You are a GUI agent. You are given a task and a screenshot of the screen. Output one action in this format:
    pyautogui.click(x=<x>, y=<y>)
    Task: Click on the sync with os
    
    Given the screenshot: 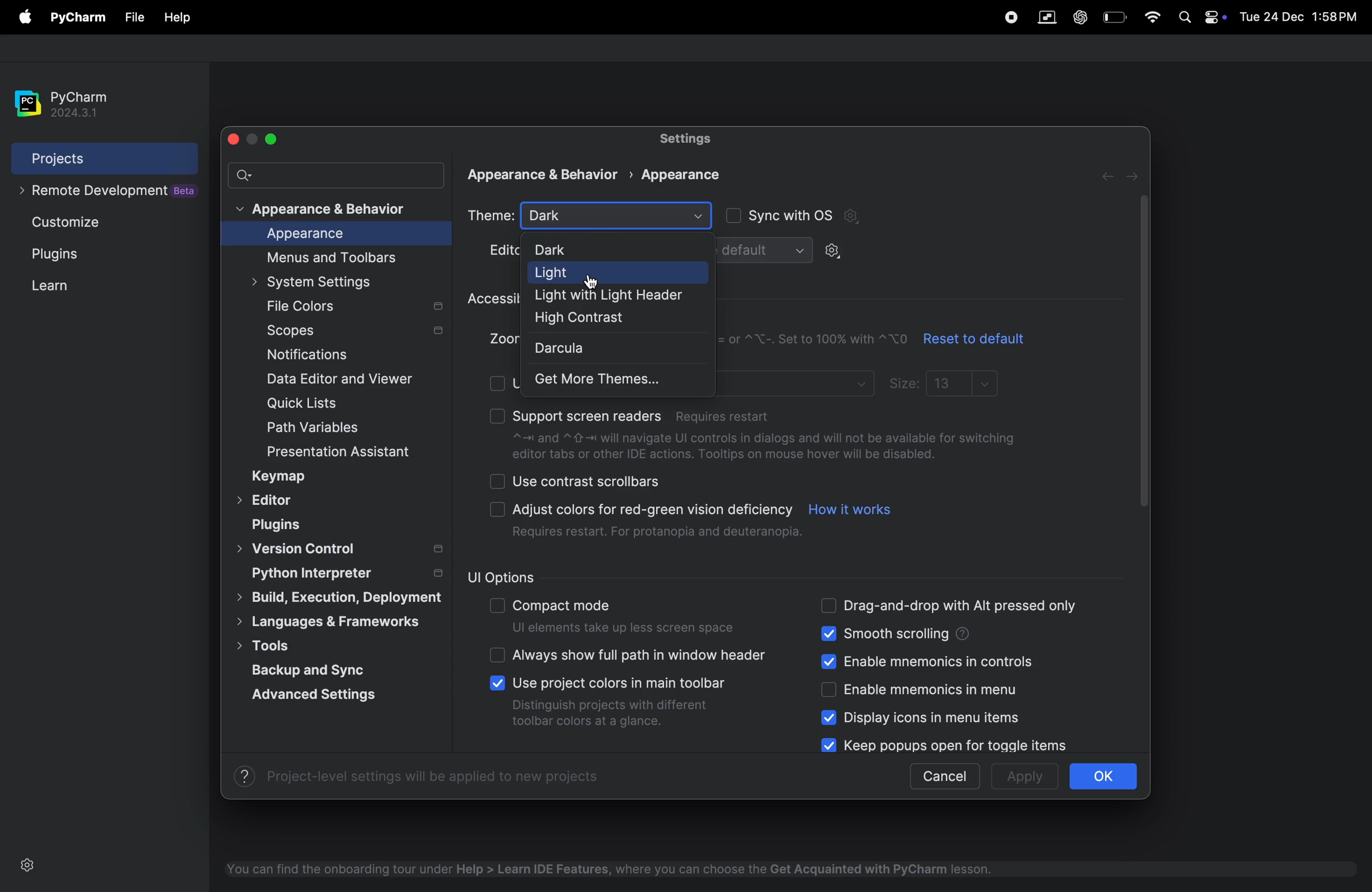 What is the action you would take?
    pyautogui.click(x=783, y=217)
    